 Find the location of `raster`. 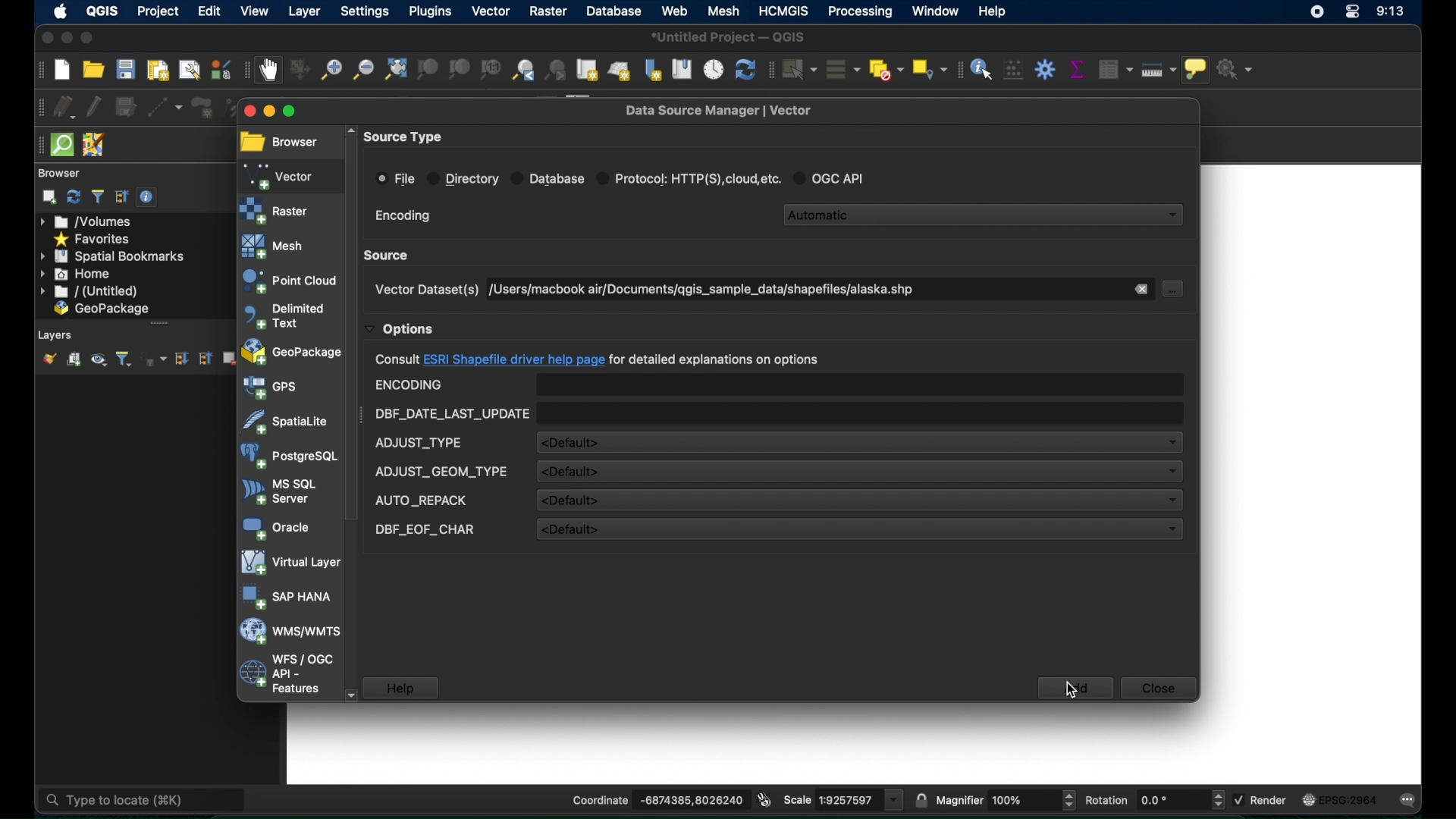

raster is located at coordinates (545, 12).